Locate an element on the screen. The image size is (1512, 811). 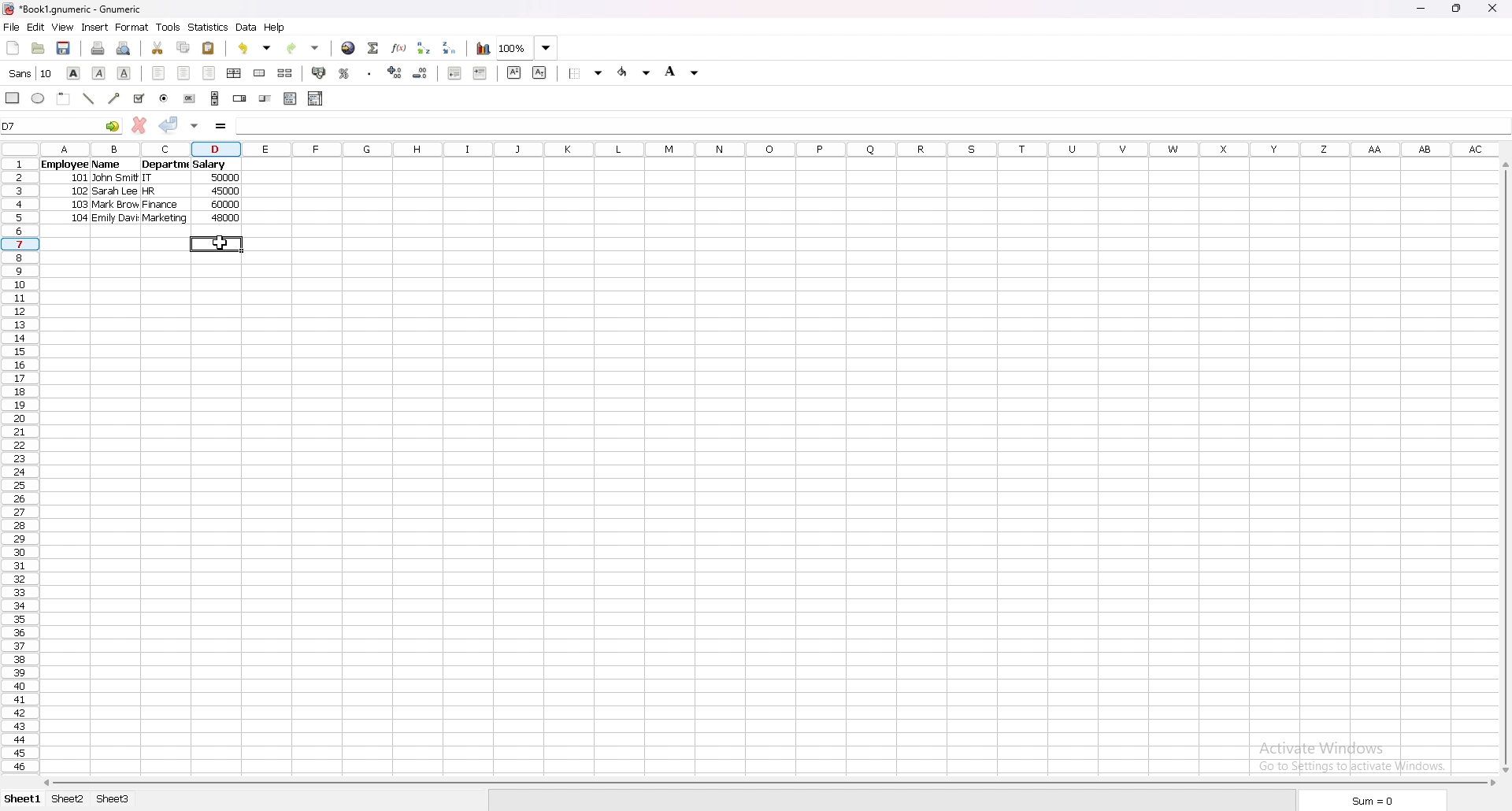
centre horizontally is located at coordinates (235, 73).